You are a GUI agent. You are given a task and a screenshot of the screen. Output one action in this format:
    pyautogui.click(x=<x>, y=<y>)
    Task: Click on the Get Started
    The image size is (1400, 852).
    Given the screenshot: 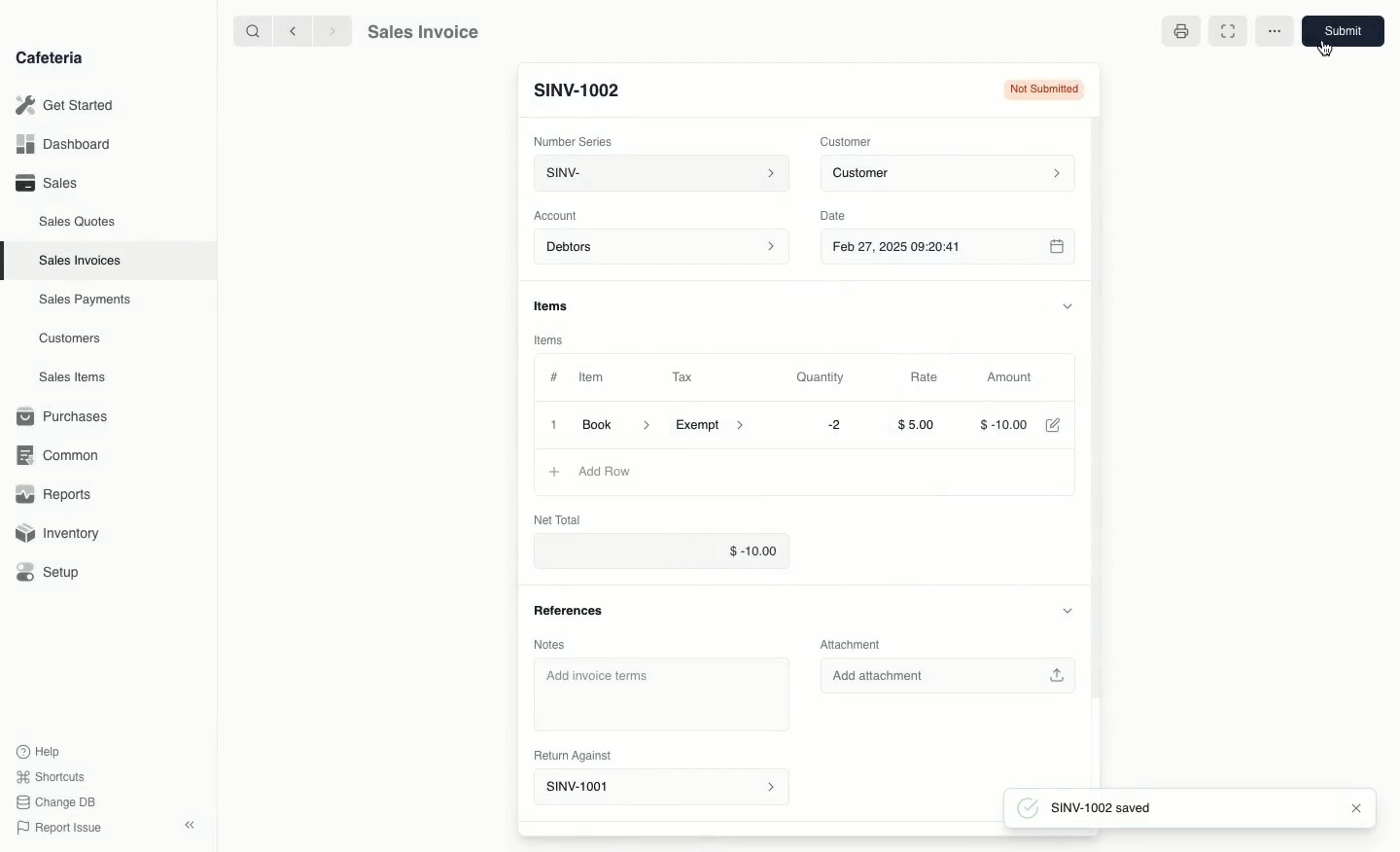 What is the action you would take?
    pyautogui.click(x=65, y=104)
    